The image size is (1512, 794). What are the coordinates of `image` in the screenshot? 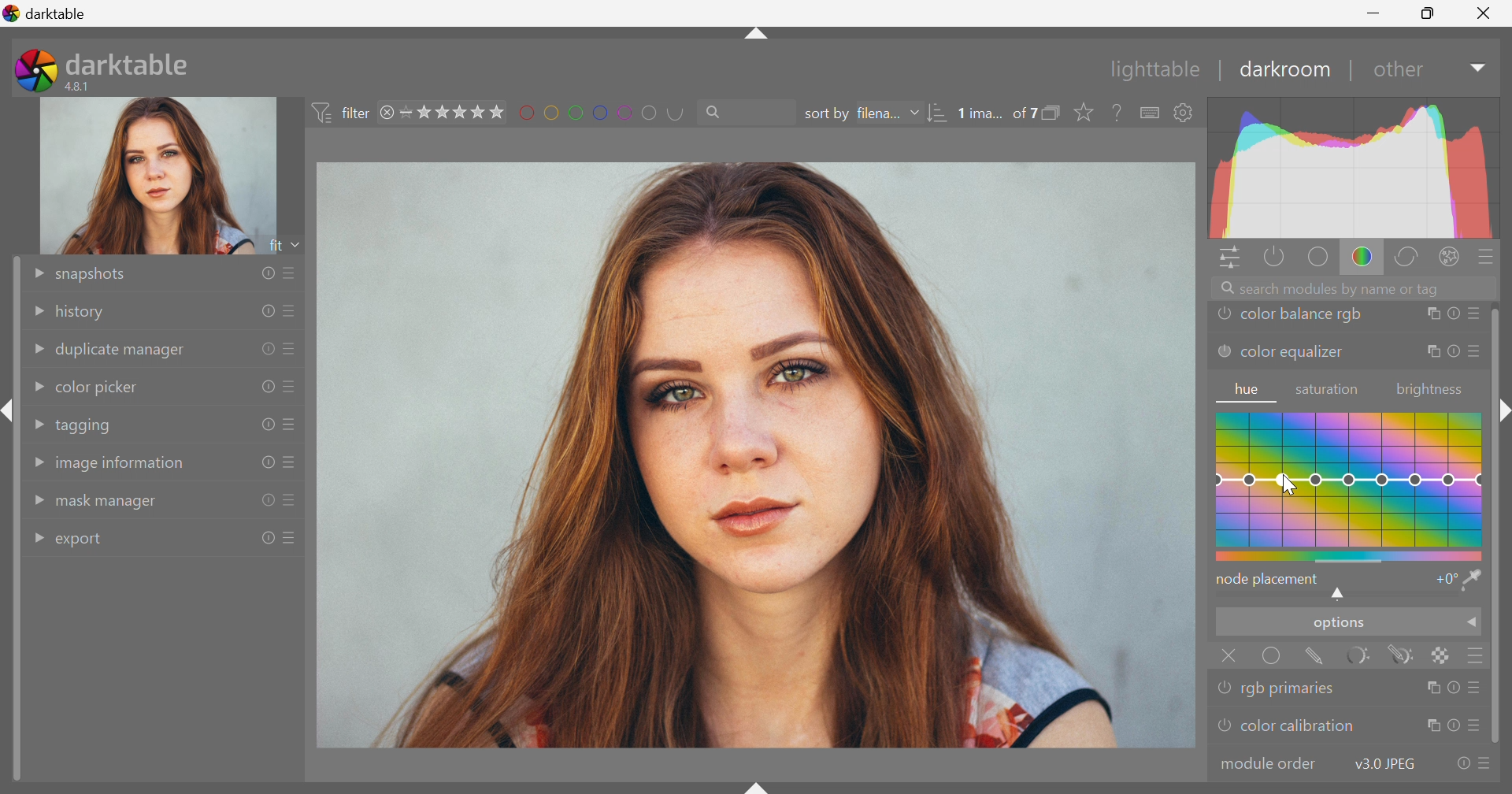 It's located at (757, 456).